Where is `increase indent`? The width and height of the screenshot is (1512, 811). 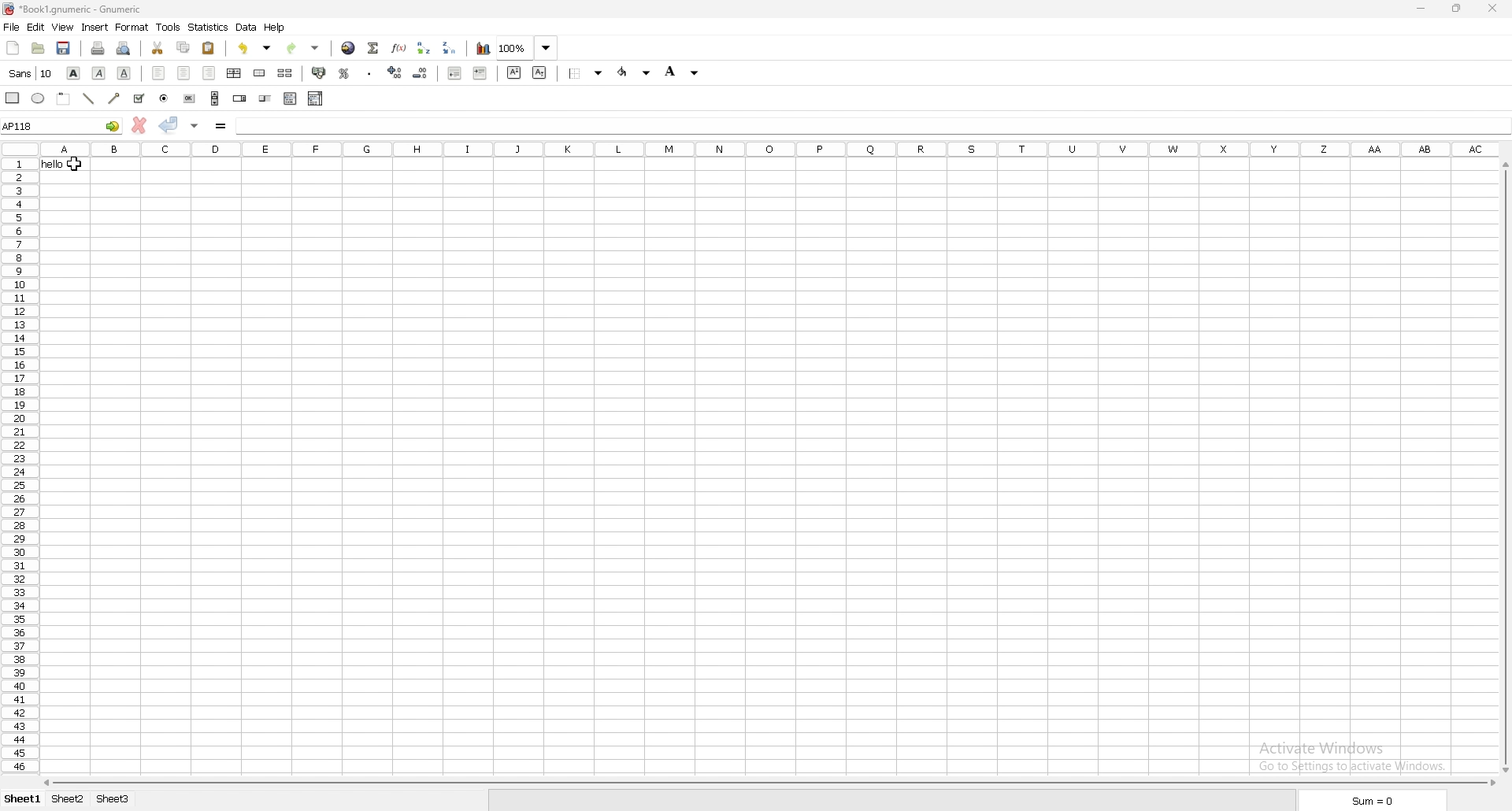 increase indent is located at coordinates (480, 72).